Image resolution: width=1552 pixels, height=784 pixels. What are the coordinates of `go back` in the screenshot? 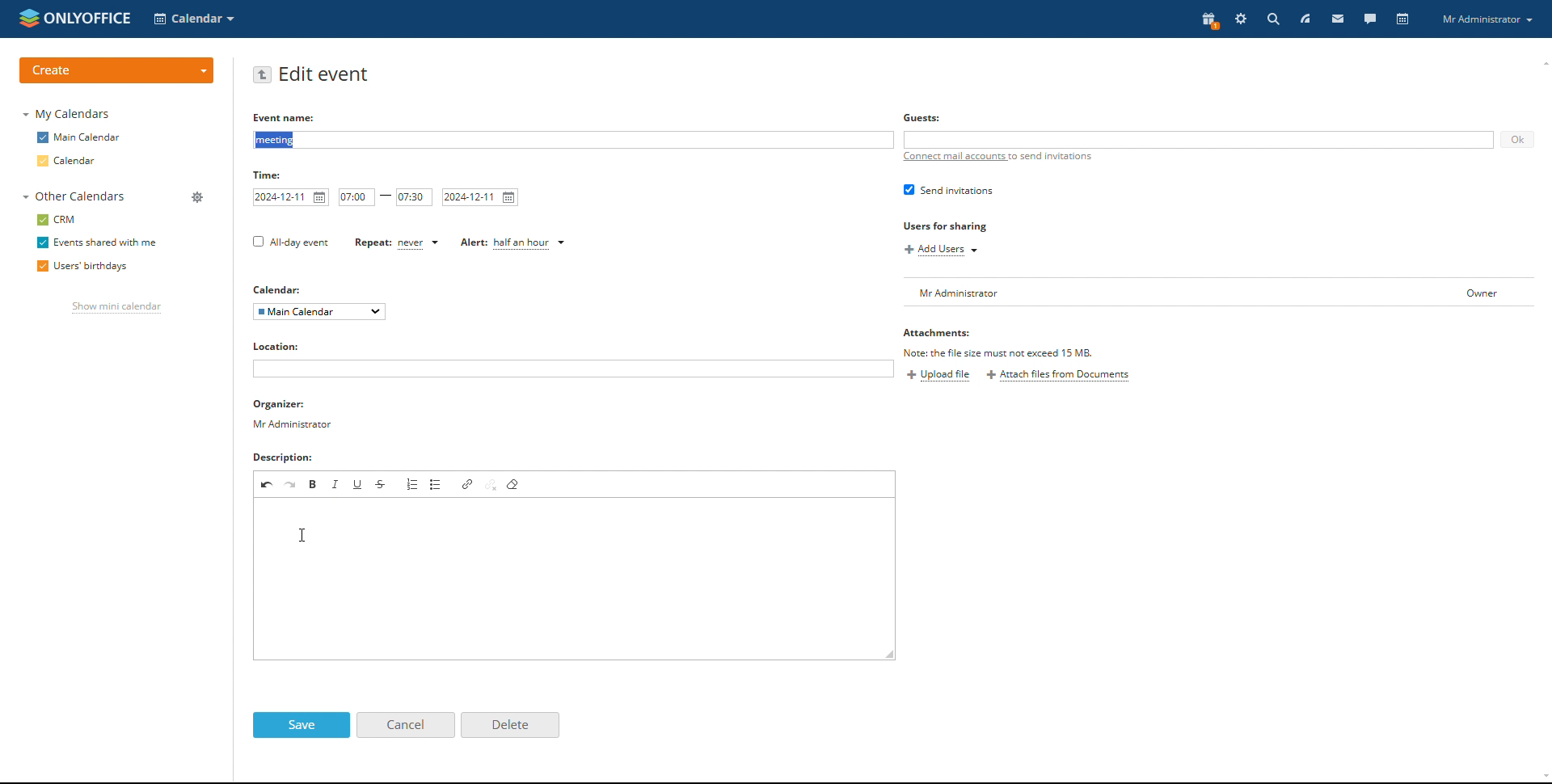 It's located at (262, 75).